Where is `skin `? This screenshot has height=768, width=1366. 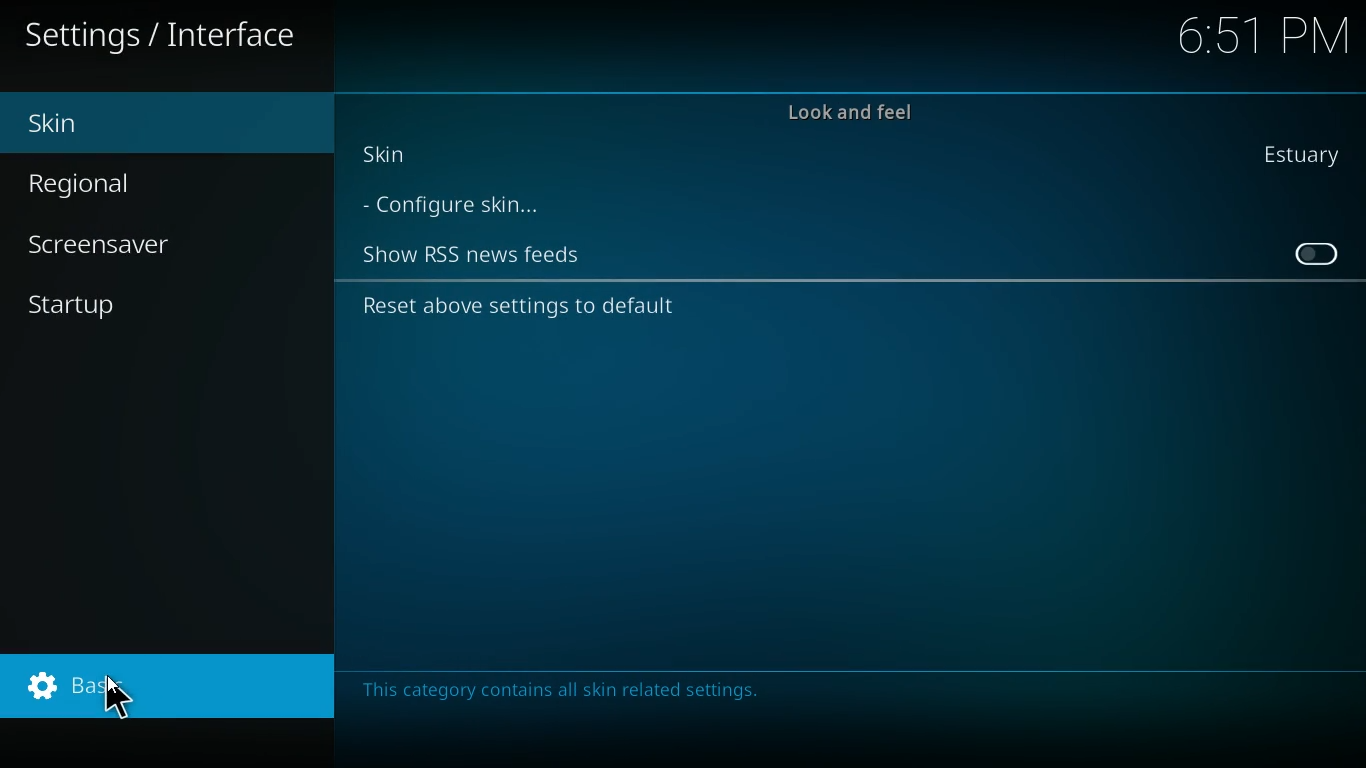 skin  is located at coordinates (388, 153).